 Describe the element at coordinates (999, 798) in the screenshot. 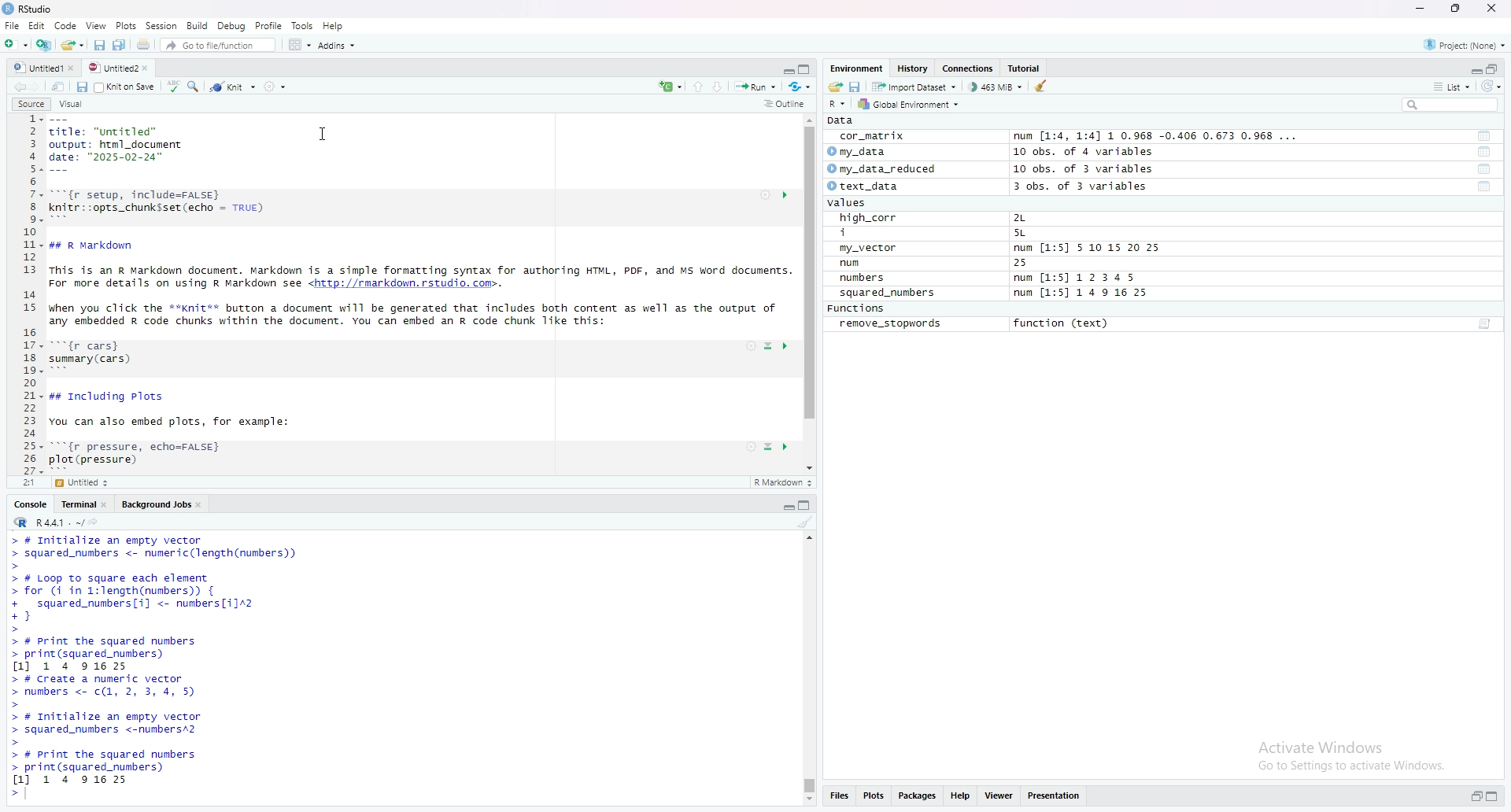

I see `View` at that location.